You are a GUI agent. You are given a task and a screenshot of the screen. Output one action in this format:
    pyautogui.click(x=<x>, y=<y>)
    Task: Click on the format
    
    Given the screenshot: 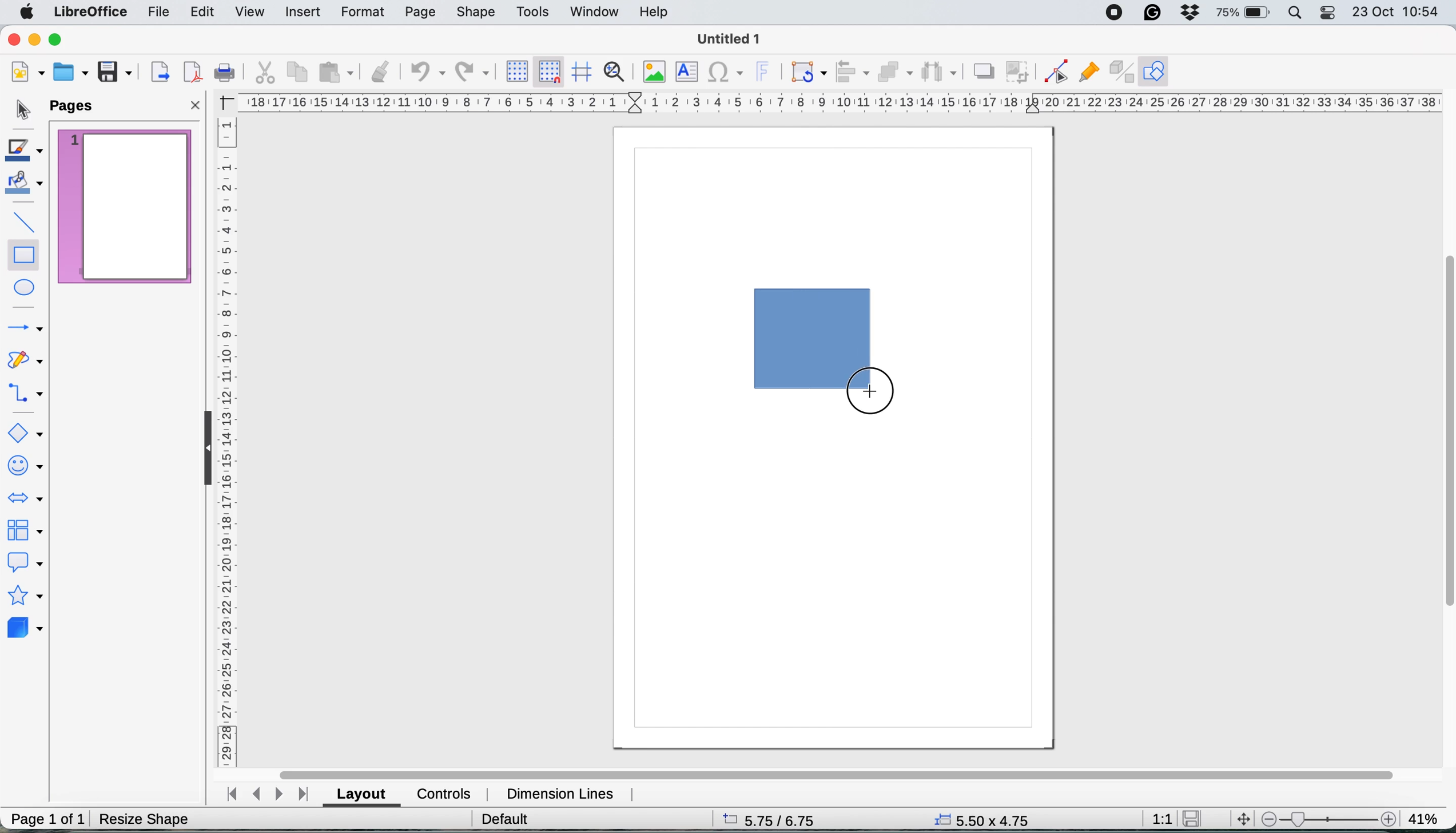 What is the action you would take?
    pyautogui.click(x=361, y=10)
    